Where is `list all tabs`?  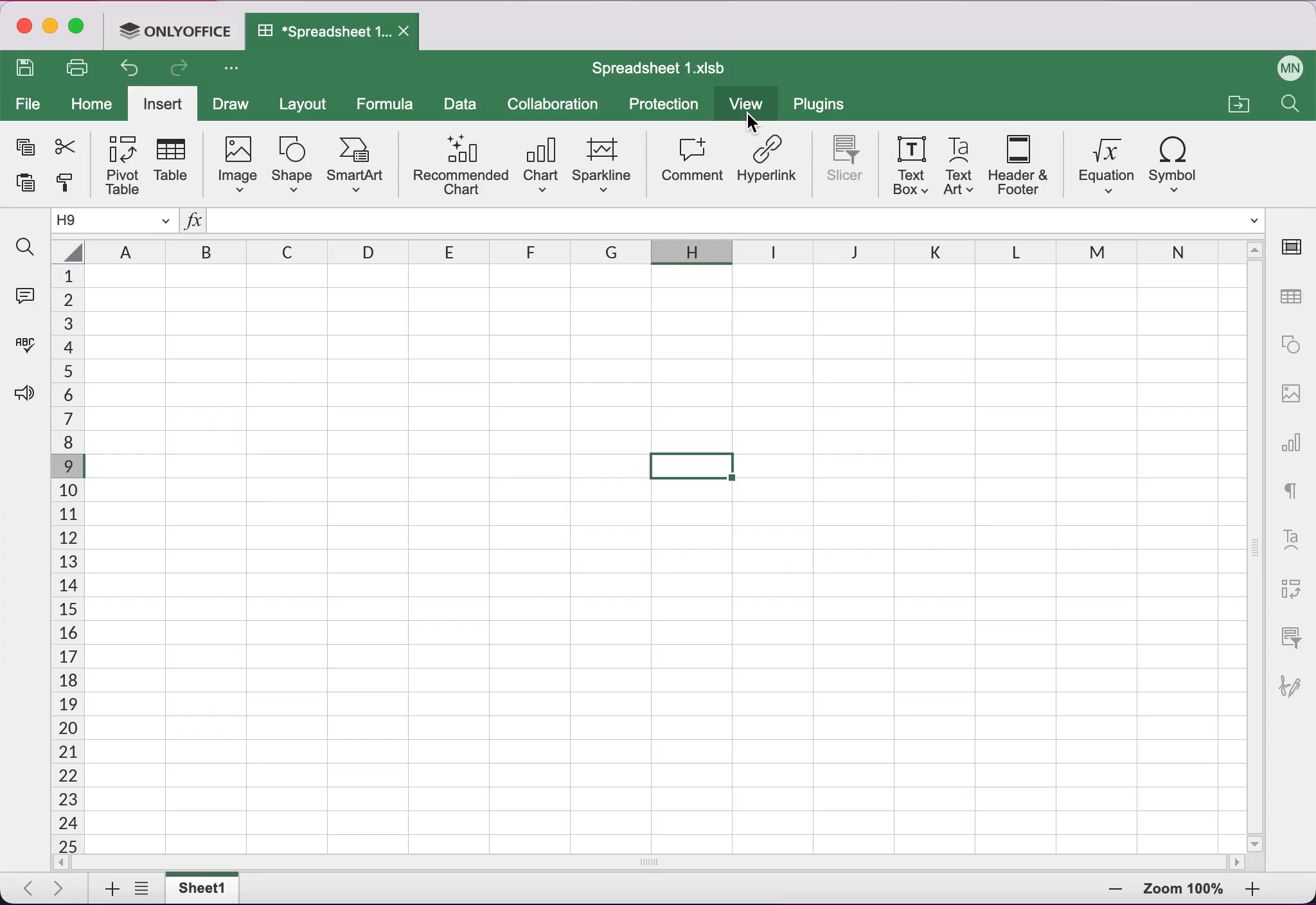
list all tabs is located at coordinates (145, 889).